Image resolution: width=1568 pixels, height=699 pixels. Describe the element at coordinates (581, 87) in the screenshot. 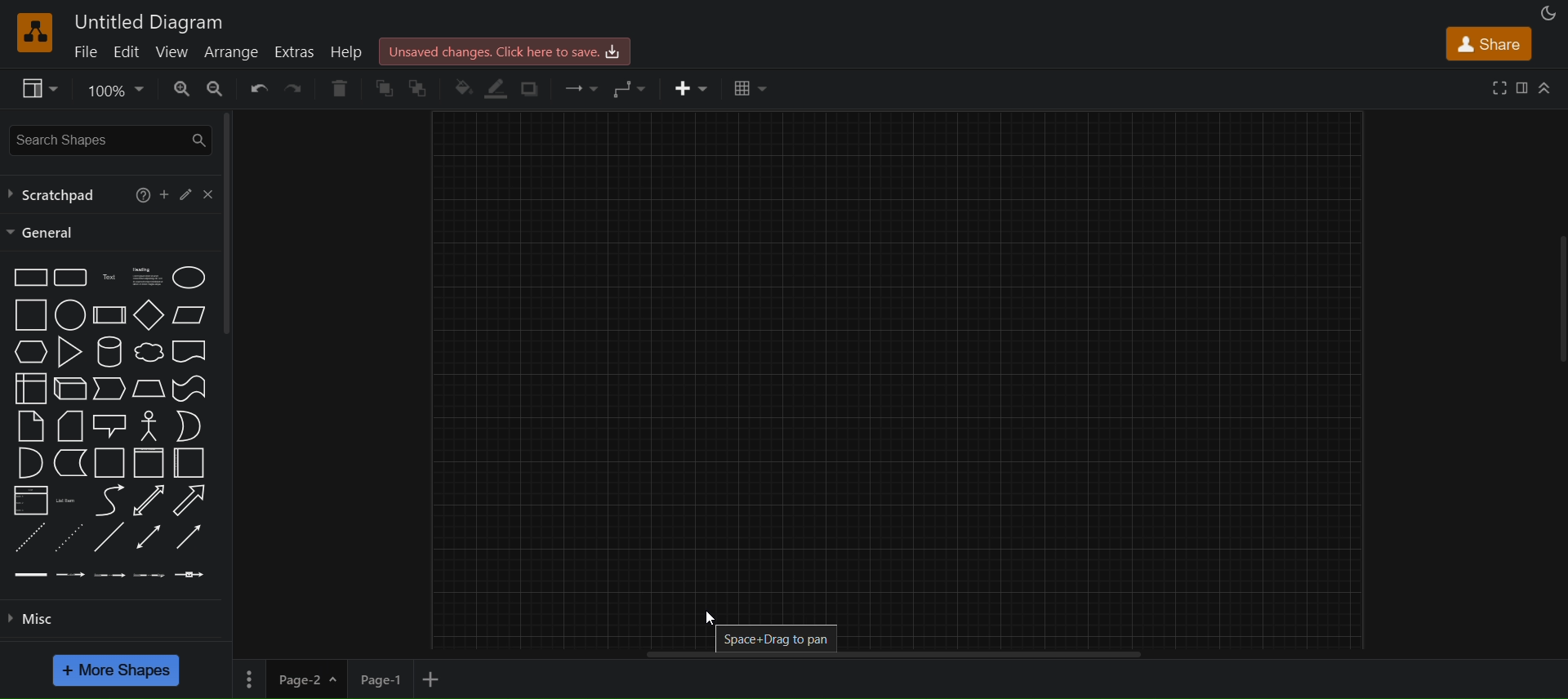

I see `connection` at that location.